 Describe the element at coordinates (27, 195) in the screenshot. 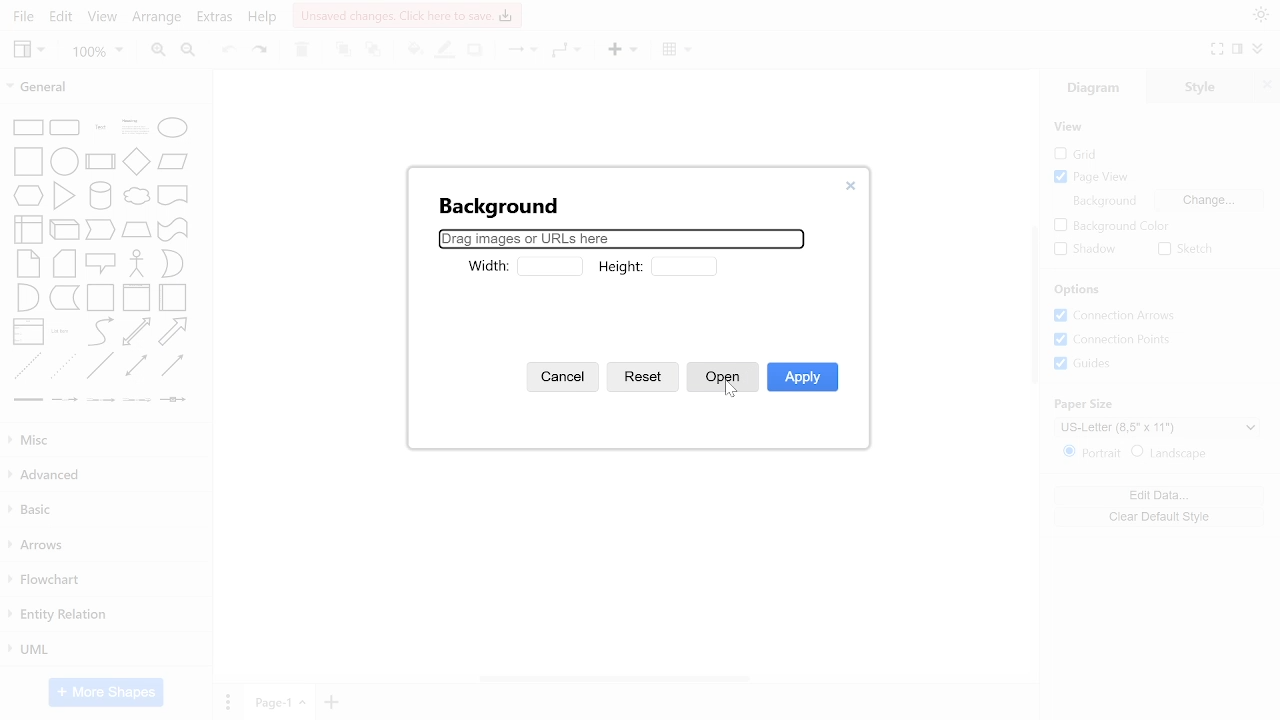

I see `general shapes` at that location.